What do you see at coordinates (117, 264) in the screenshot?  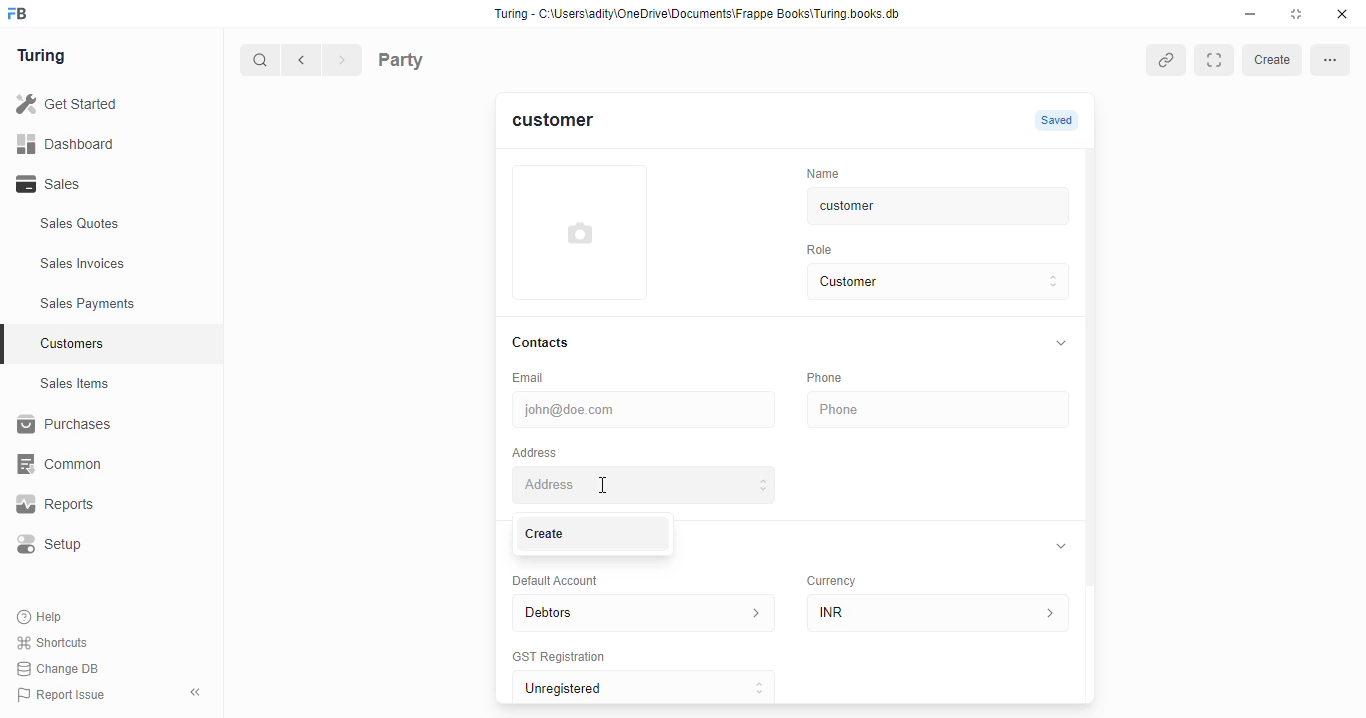 I see `Sales Invoices` at bounding box center [117, 264].